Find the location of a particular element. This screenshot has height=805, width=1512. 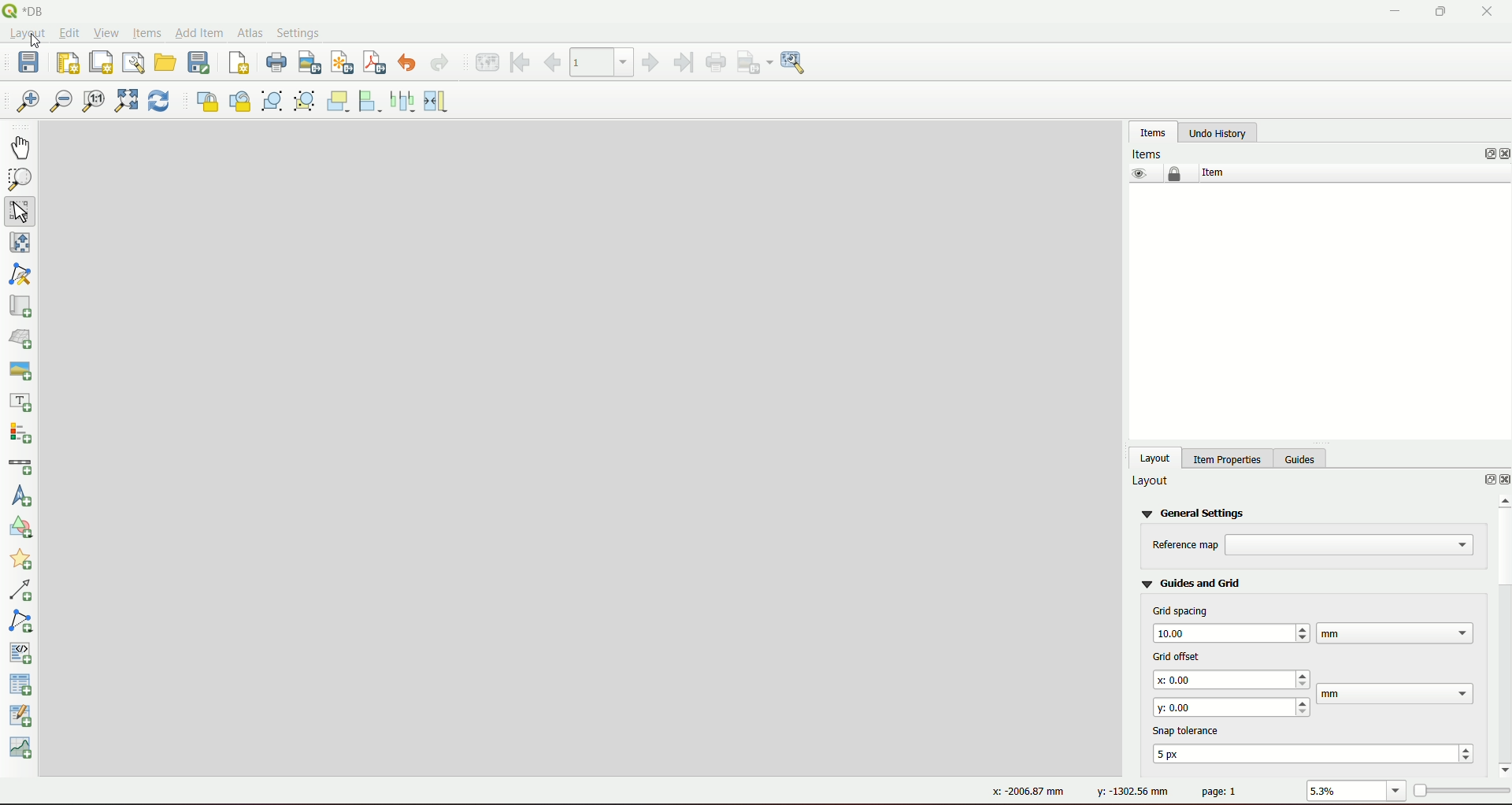

align selected is located at coordinates (372, 101).